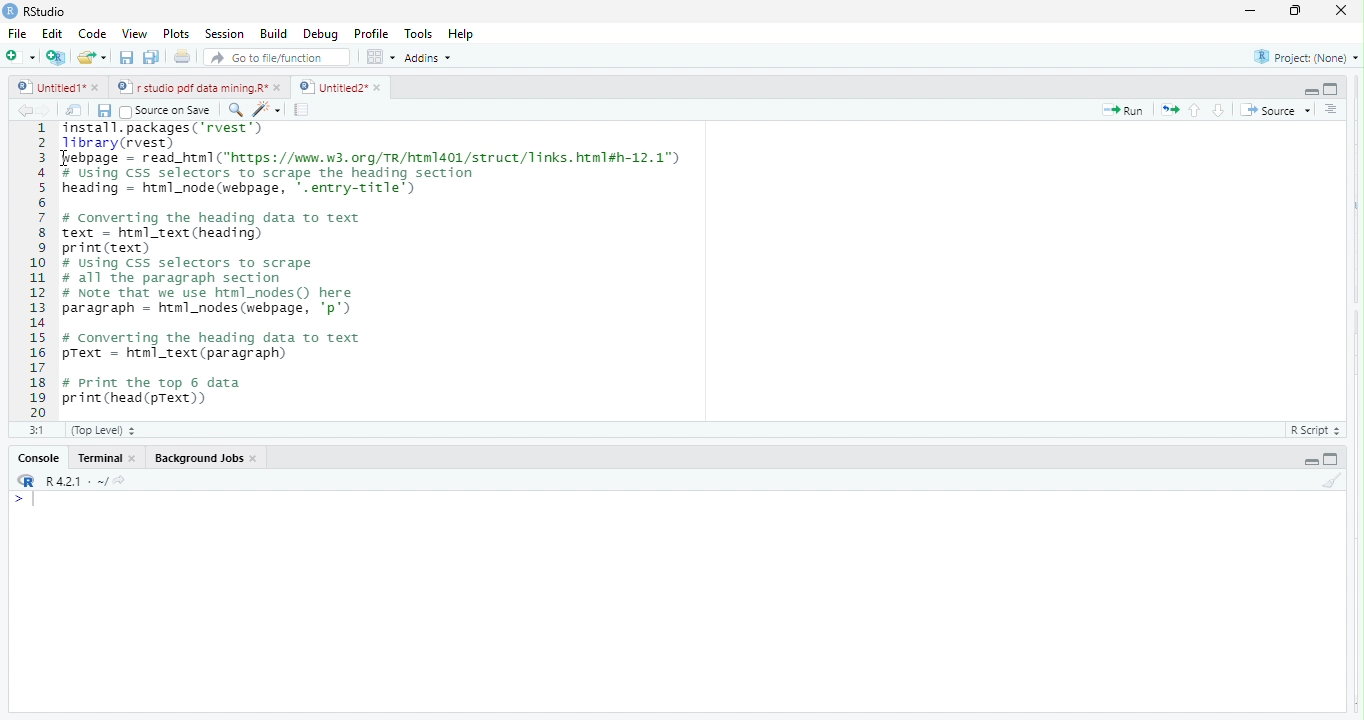  Describe the element at coordinates (25, 110) in the screenshot. I see `go back to the previous source location` at that location.